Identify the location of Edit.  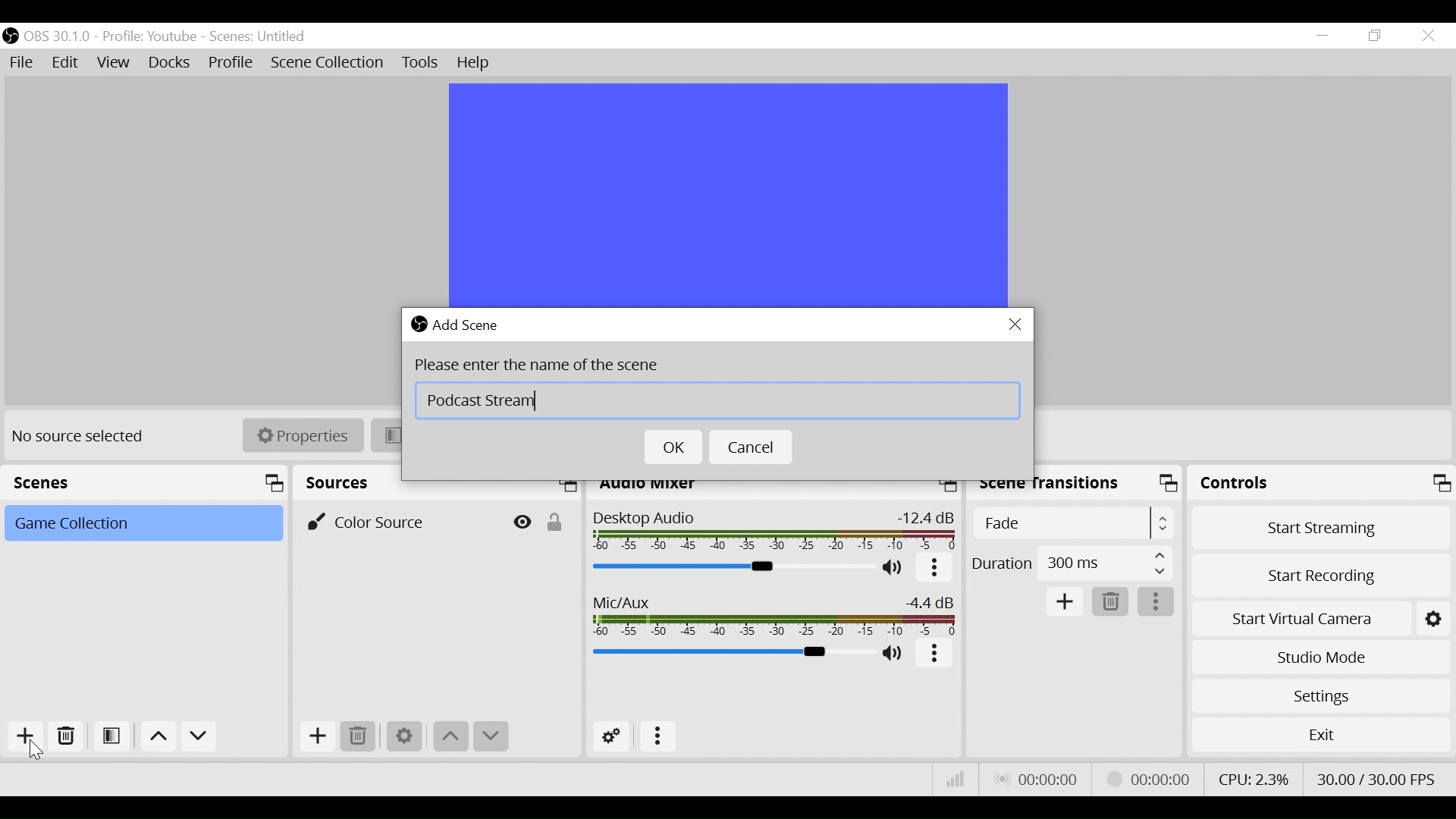
(67, 63).